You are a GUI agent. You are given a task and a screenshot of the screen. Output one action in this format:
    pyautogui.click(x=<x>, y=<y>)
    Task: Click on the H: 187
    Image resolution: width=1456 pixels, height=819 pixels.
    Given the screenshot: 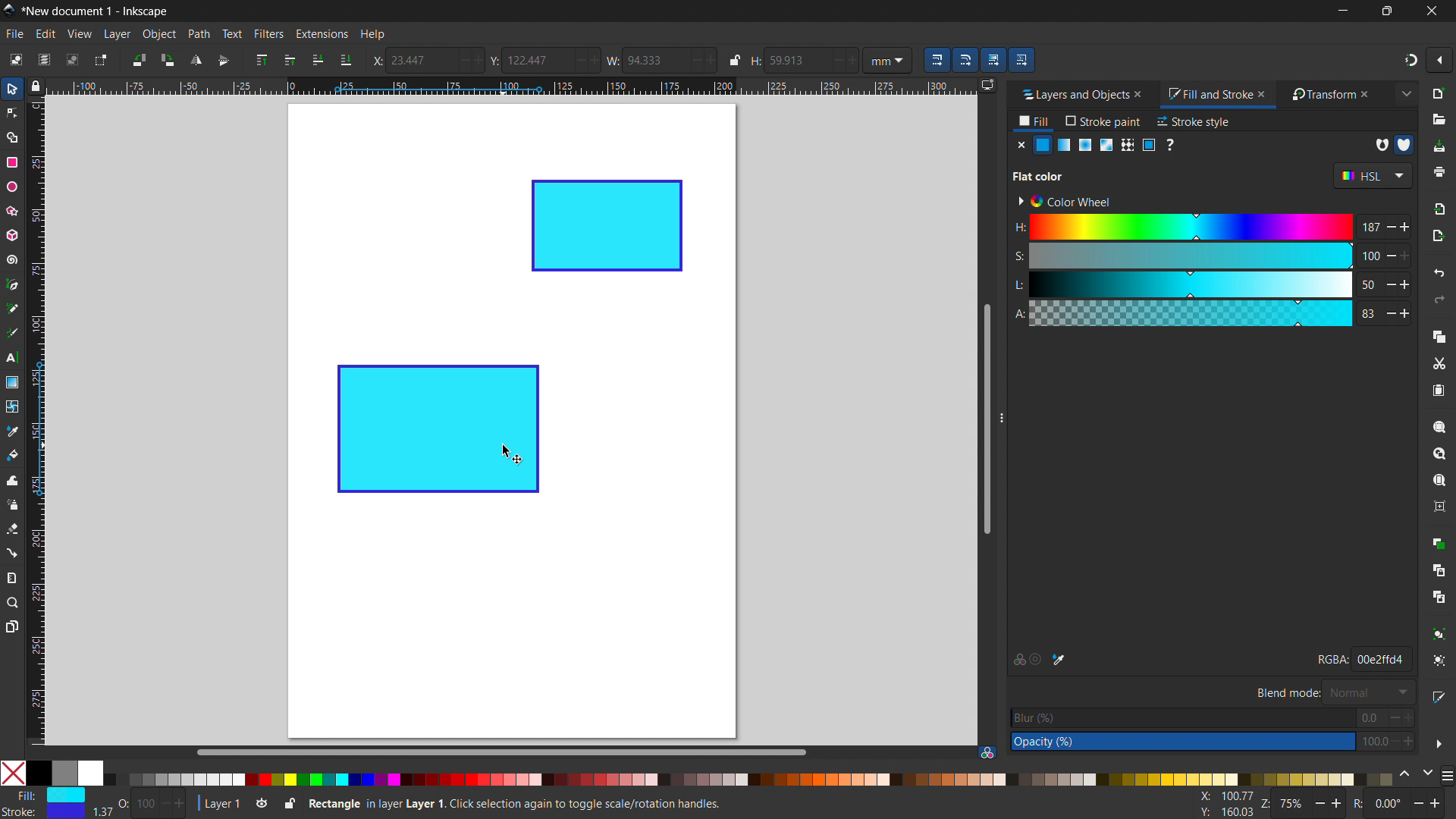 What is the action you would take?
    pyautogui.click(x=1210, y=225)
    